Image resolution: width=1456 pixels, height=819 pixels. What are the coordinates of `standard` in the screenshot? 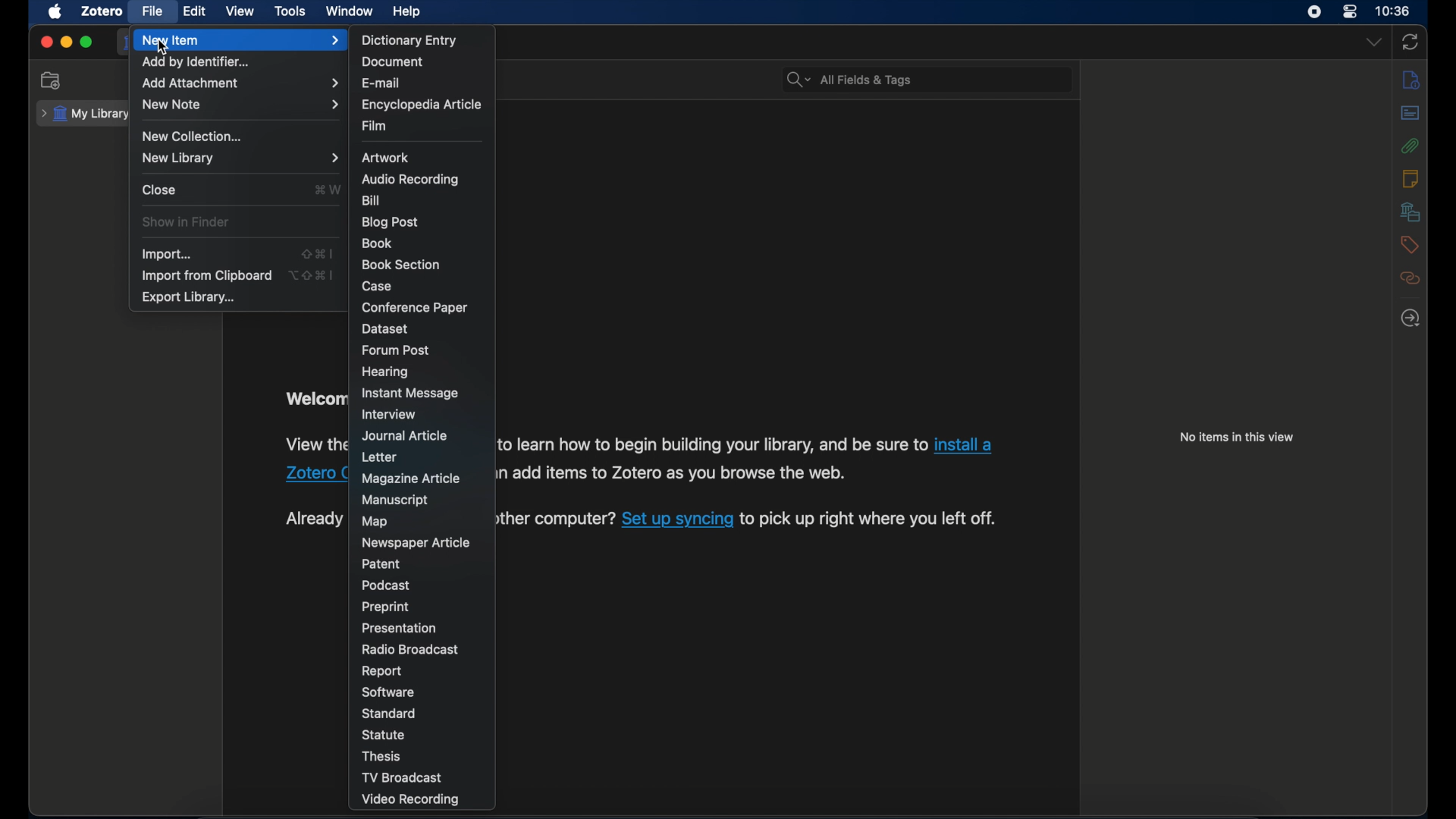 It's located at (388, 714).